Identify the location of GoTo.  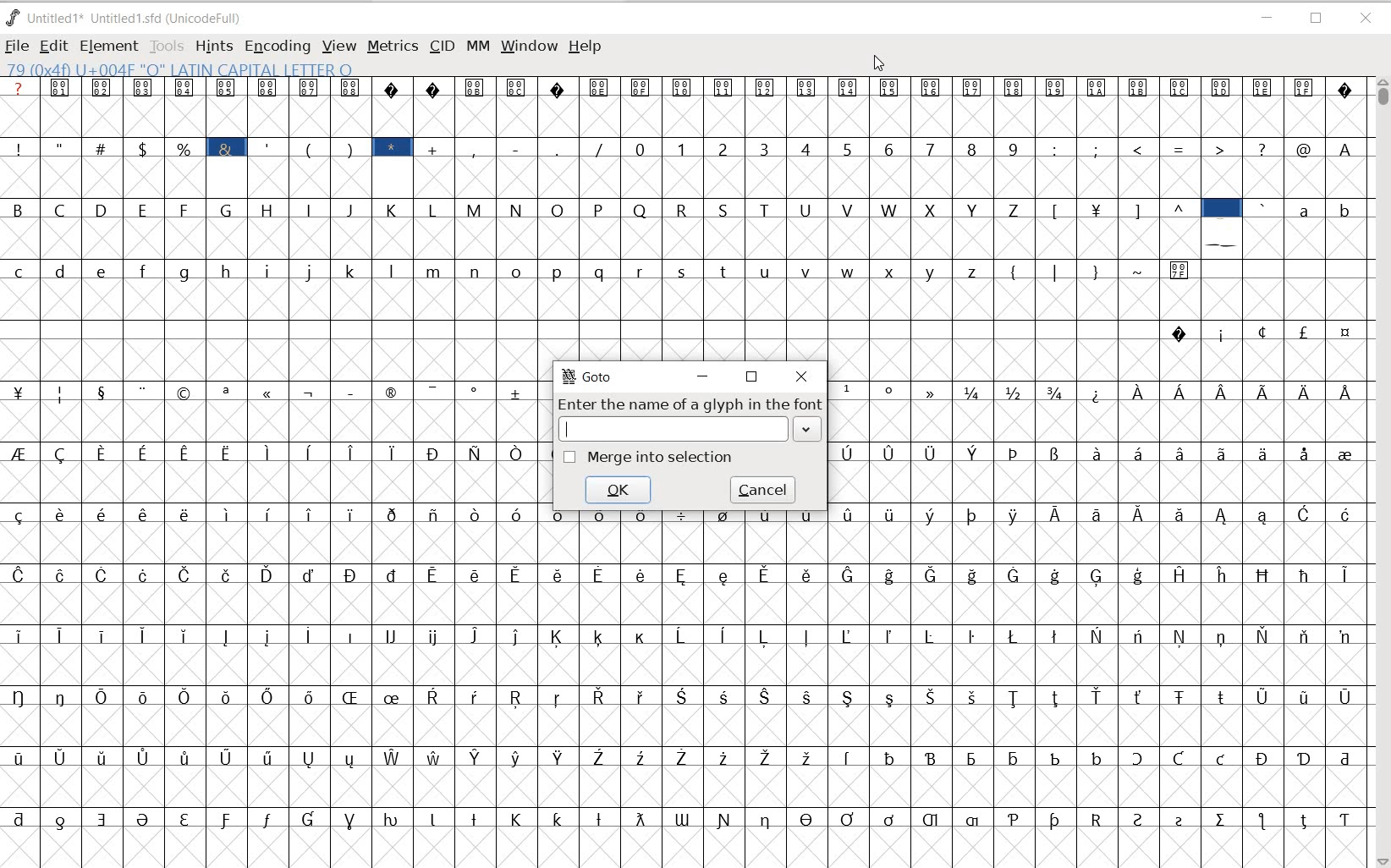
(588, 376).